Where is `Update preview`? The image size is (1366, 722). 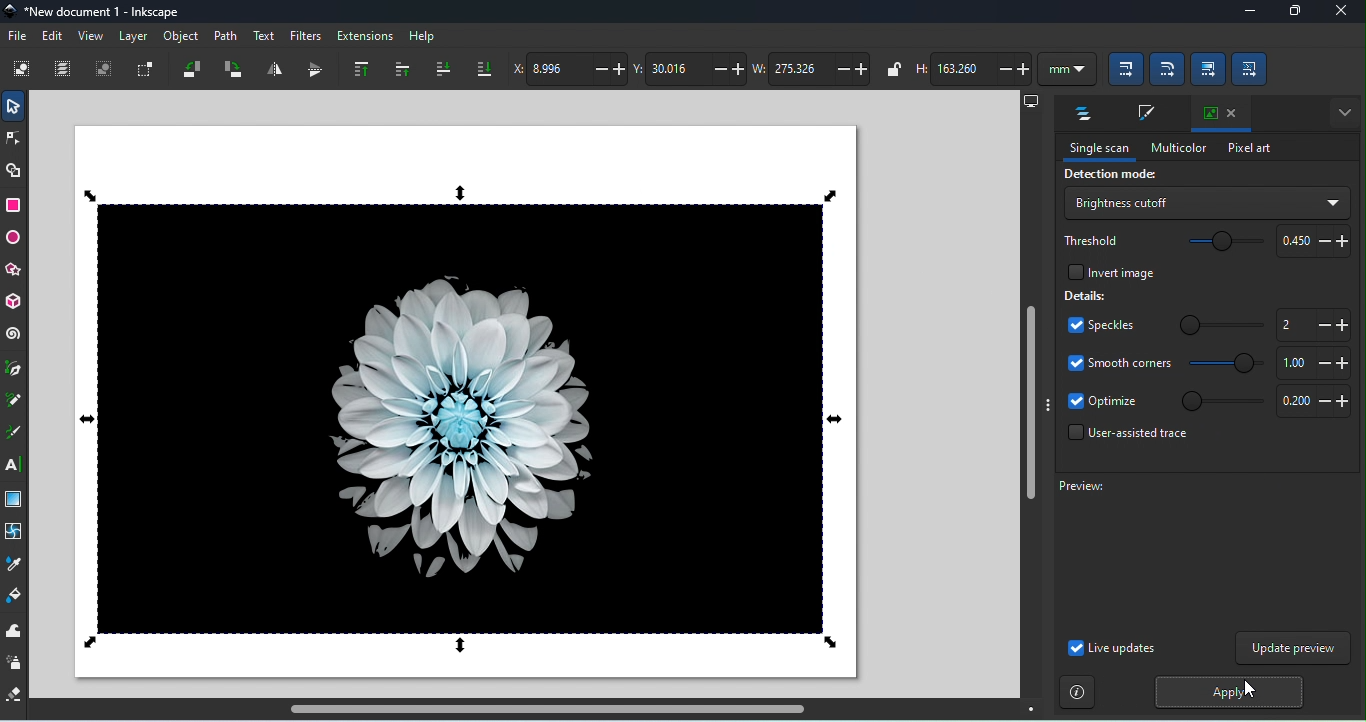
Update preview is located at coordinates (1294, 649).